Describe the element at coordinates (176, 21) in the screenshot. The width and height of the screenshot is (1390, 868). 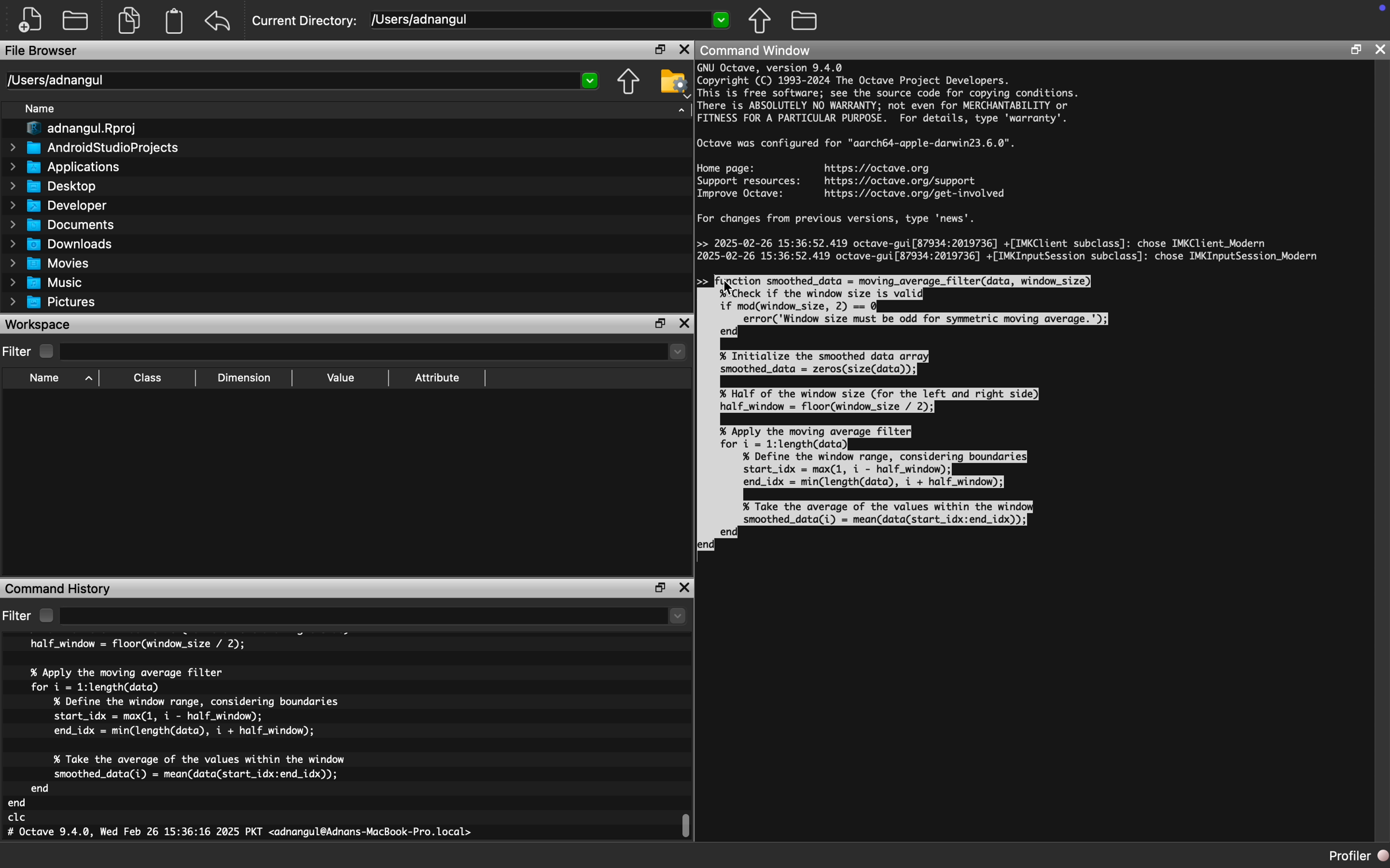
I see `Clipboard` at that location.